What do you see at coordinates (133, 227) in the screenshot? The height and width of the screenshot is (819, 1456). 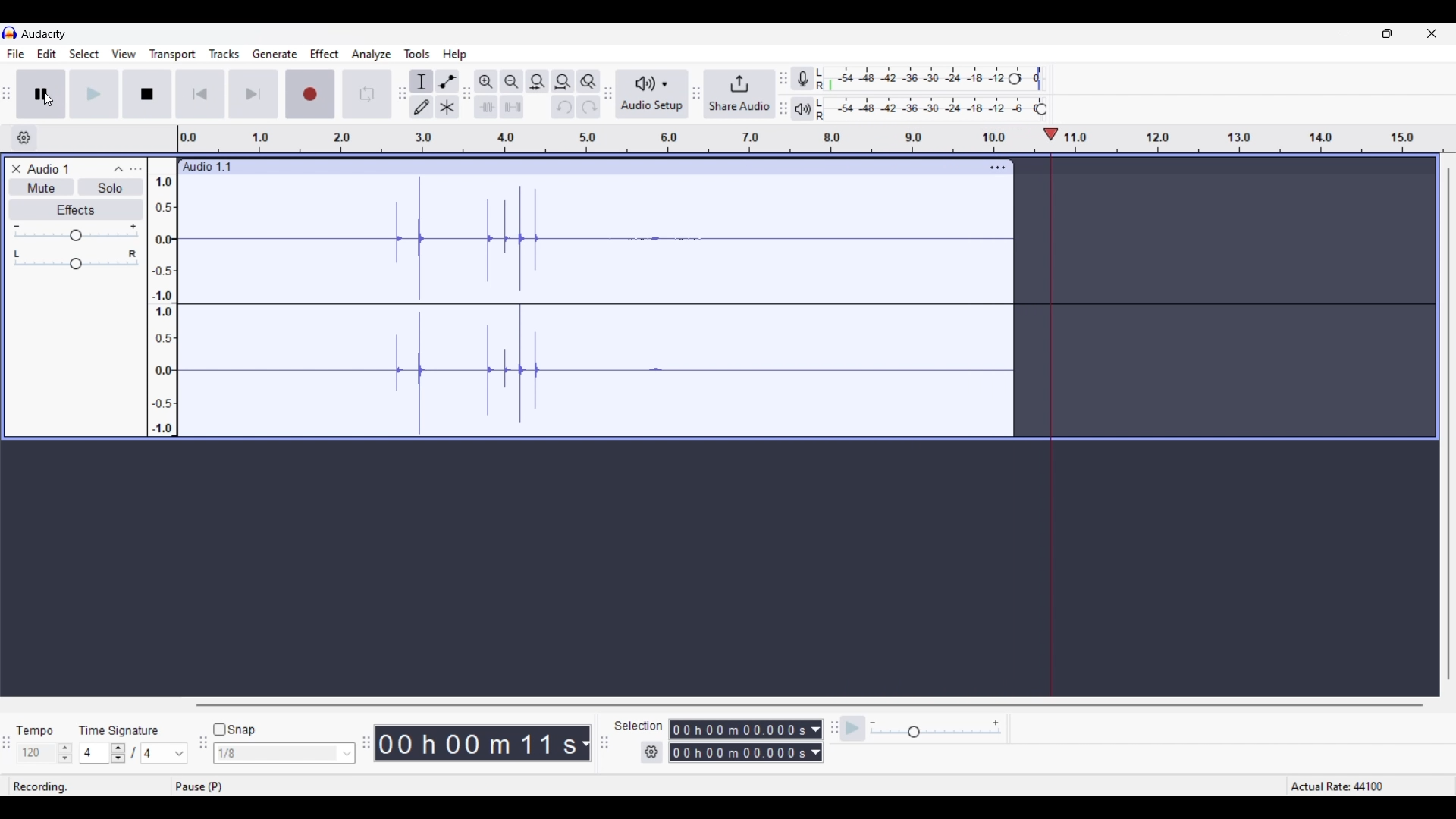 I see `Maximum gain` at bounding box center [133, 227].